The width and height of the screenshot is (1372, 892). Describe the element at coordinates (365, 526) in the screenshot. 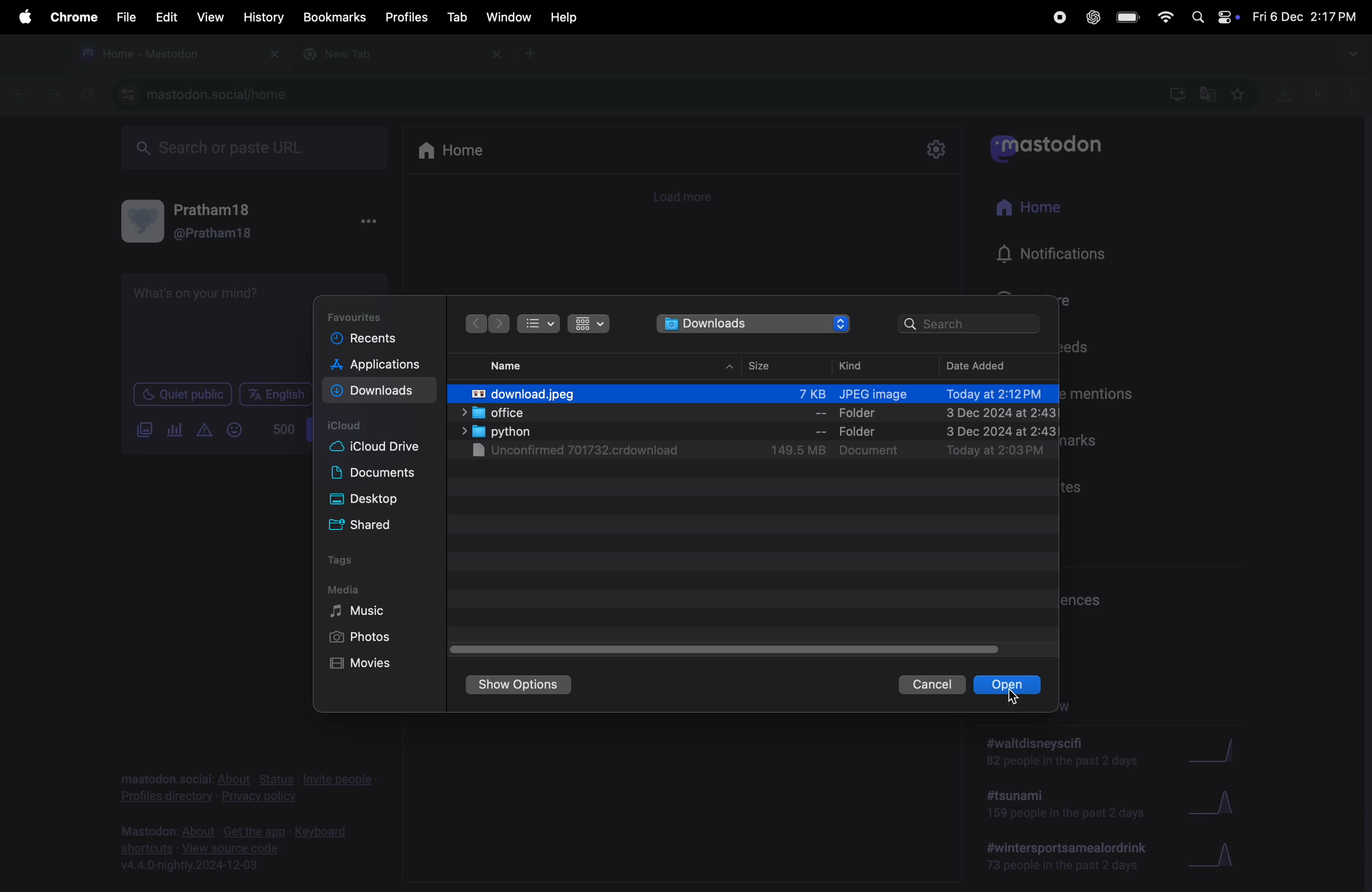

I see `shared` at that location.